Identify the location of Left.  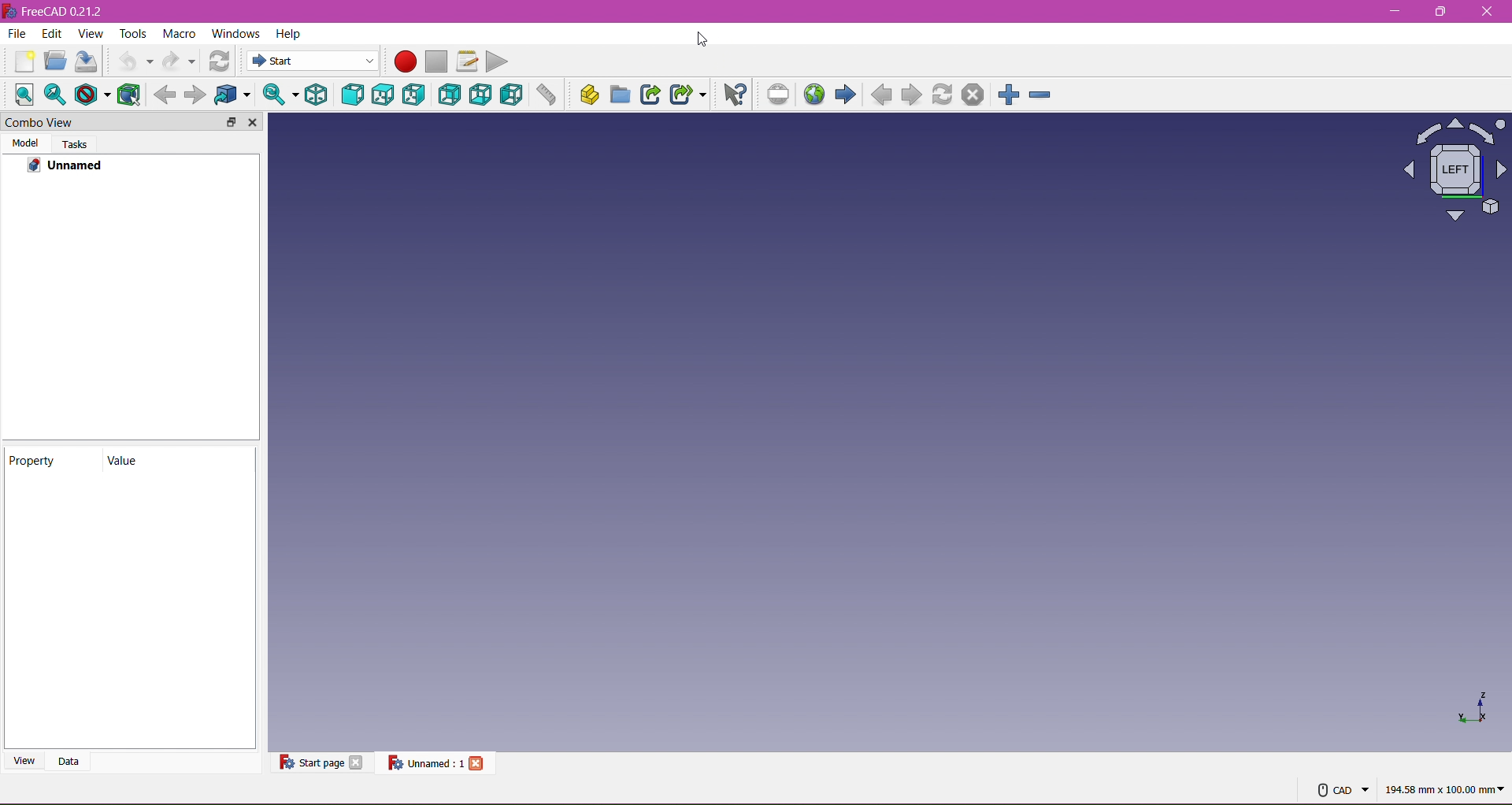
(512, 95).